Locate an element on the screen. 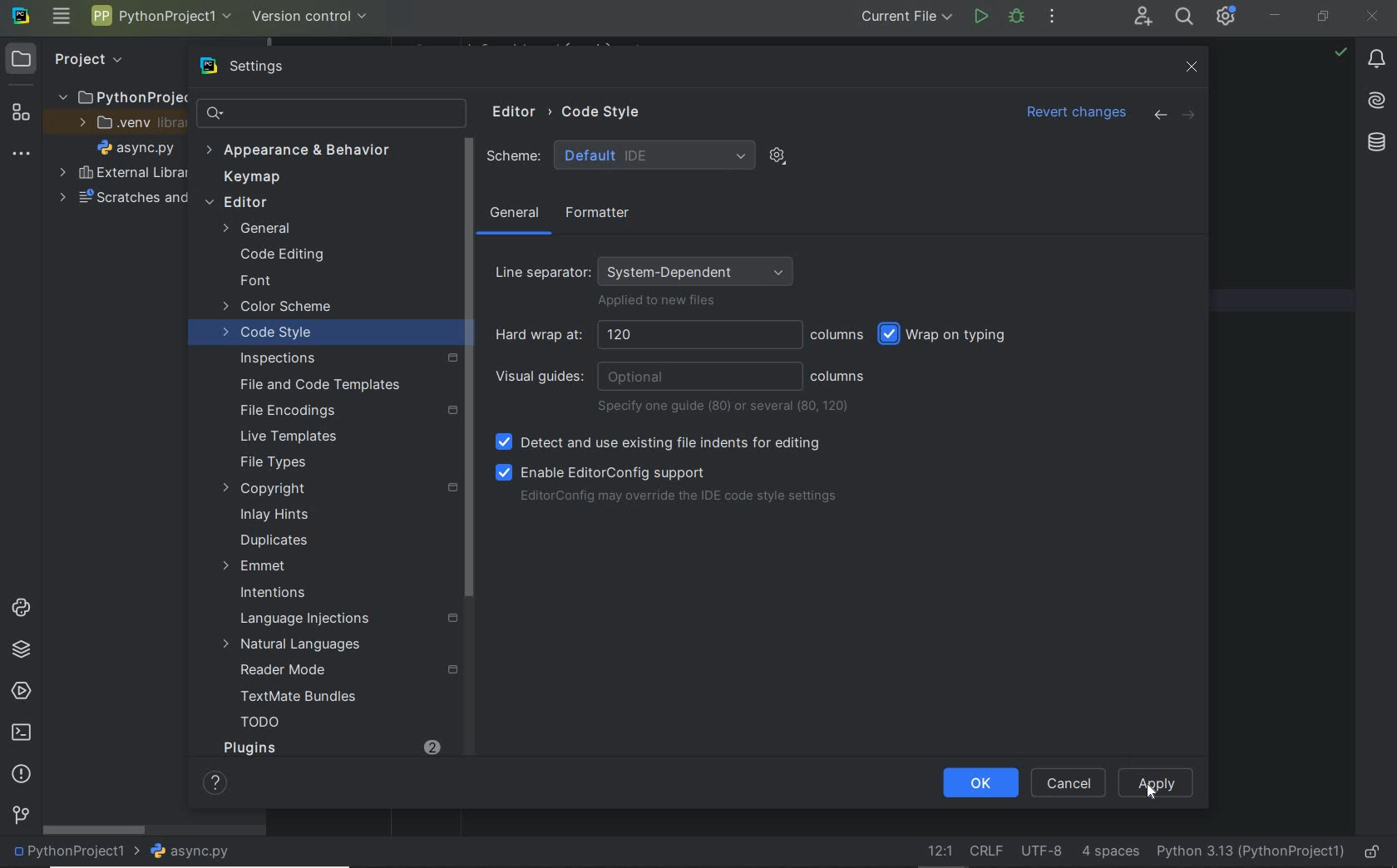 The height and width of the screenshot is (868, 1397). Hard wrap at is located at coordinates (643, 333).